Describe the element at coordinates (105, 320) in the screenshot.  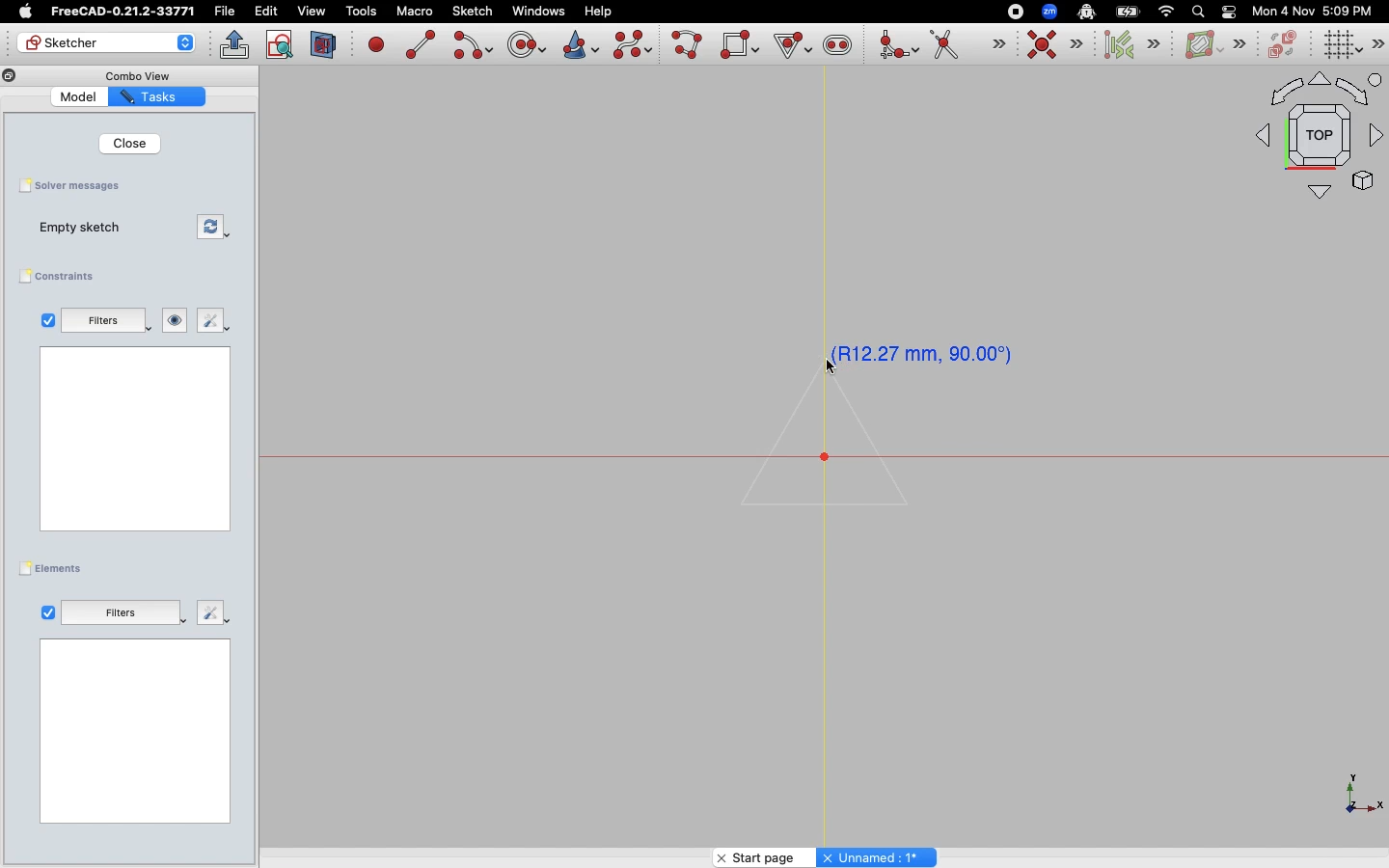
I see `Filters` at that location.